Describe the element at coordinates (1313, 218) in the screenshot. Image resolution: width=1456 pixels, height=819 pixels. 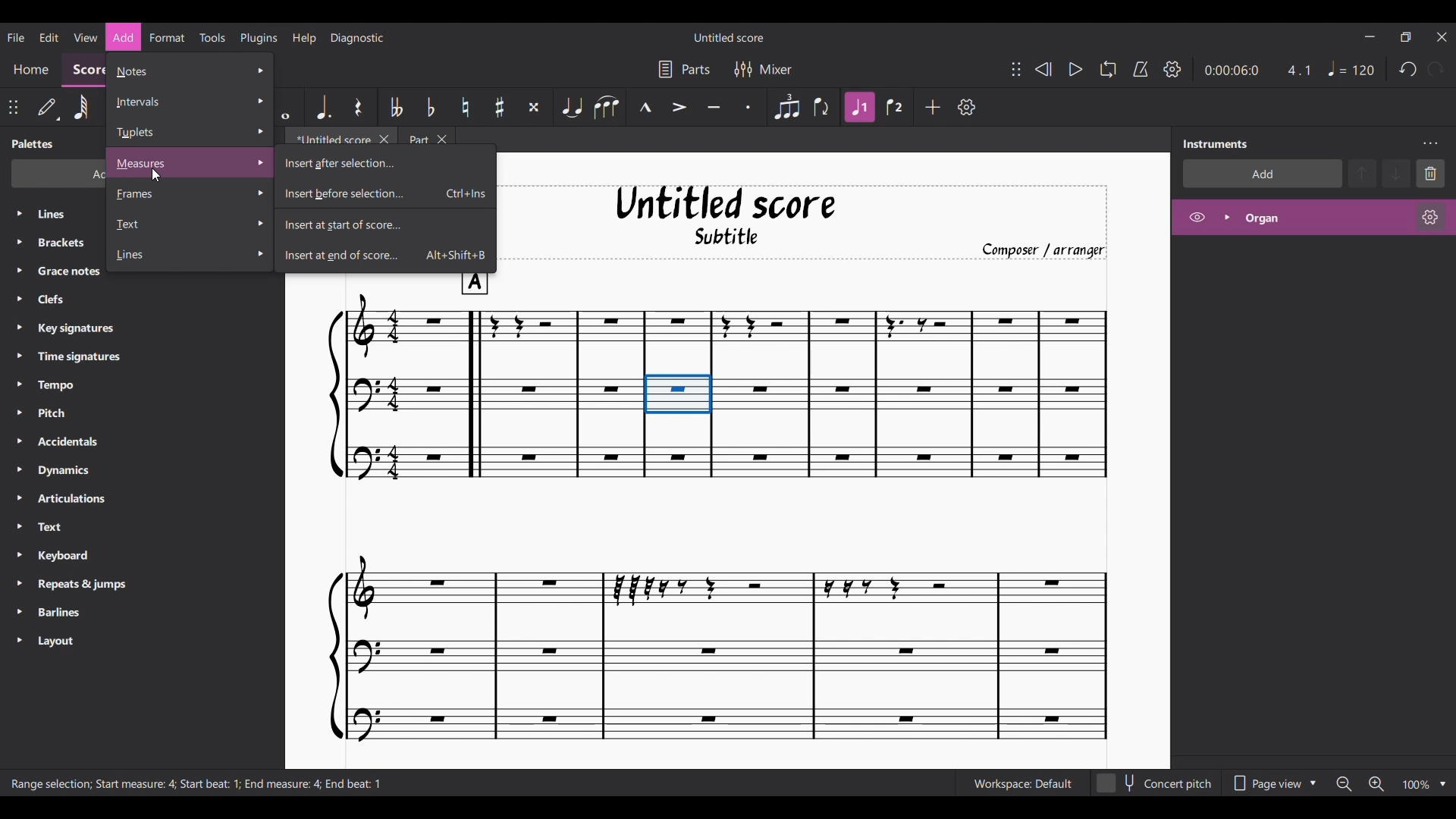
I see `Highlighted after current selection` at that location.